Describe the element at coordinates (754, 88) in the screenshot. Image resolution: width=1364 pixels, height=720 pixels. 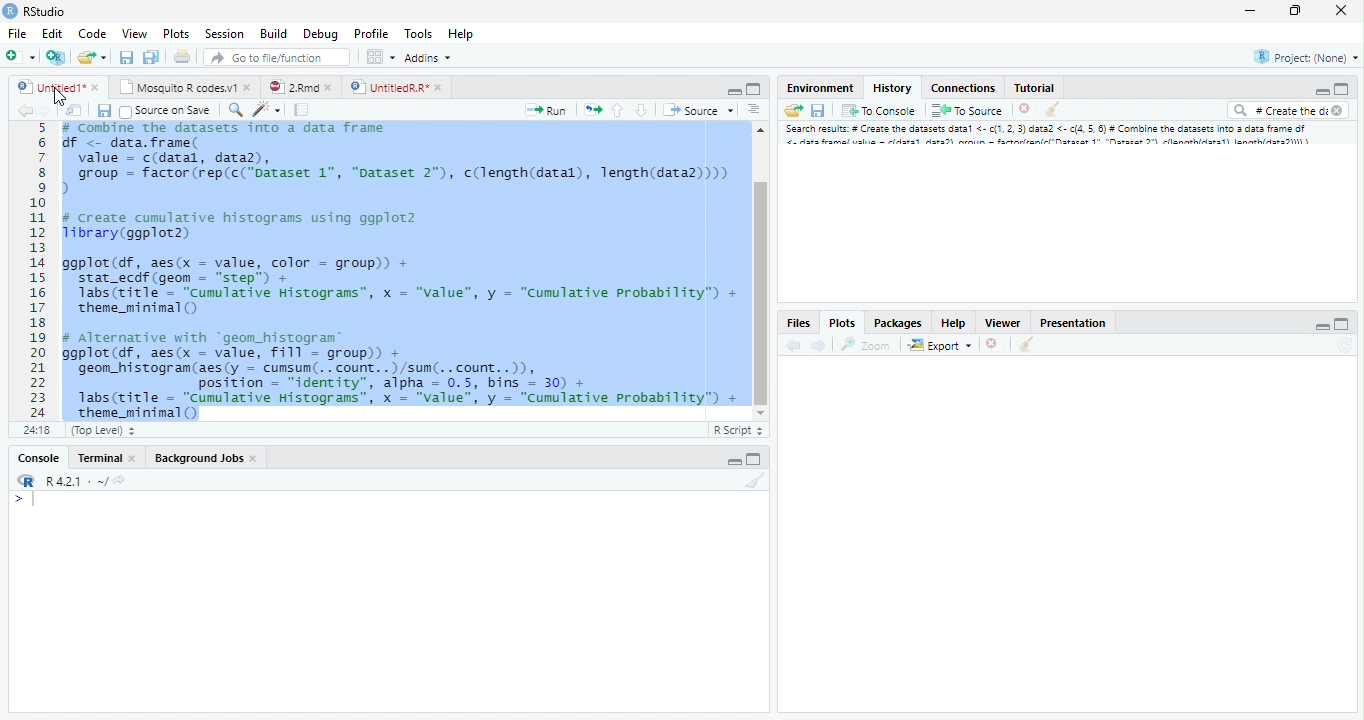
I see `Maximize` at that location.